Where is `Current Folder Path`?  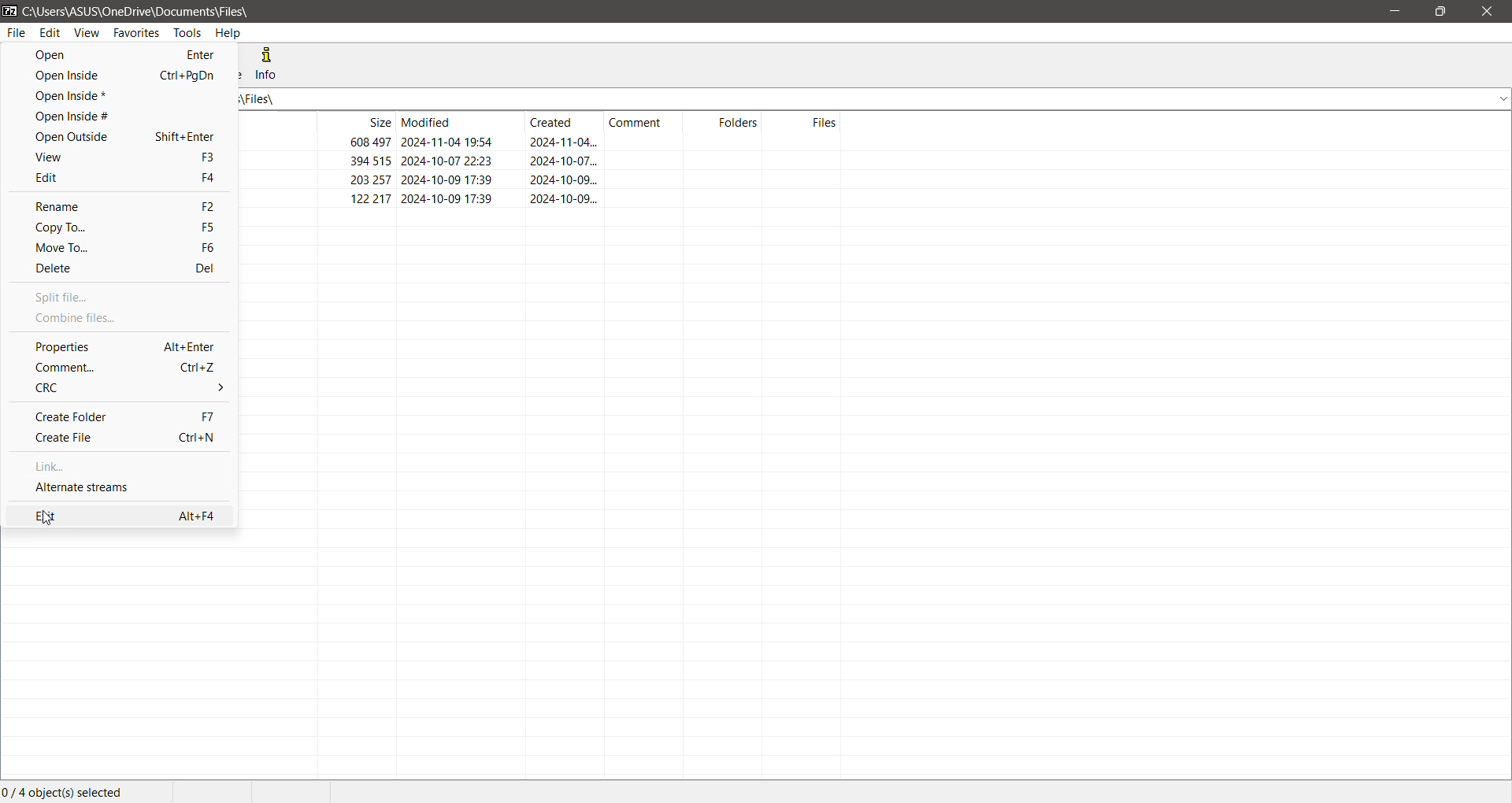
Current Folder Path is located at coordinates (858, 98).